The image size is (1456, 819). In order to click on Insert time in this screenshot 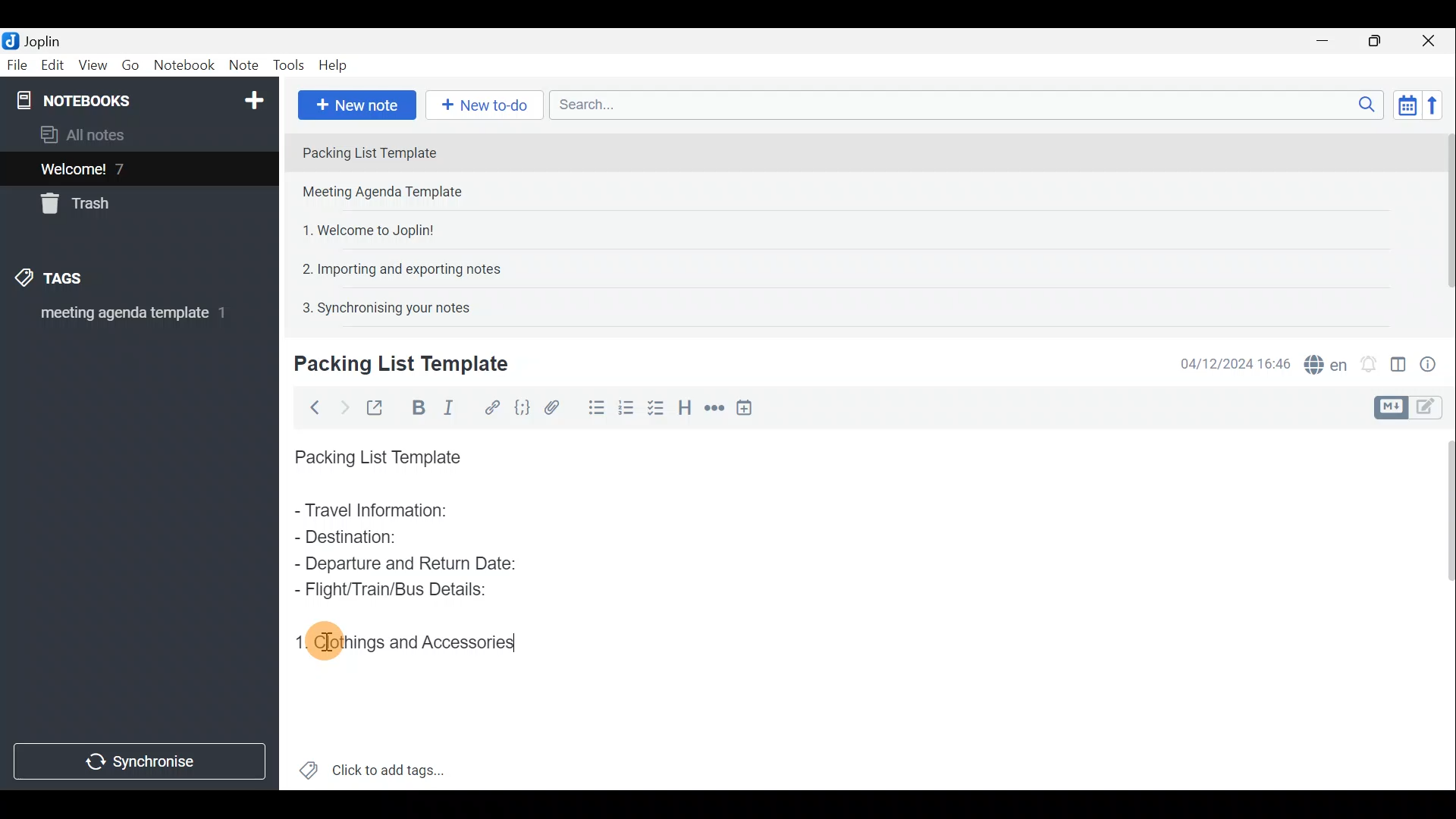, I will do `click(749, 407)`.